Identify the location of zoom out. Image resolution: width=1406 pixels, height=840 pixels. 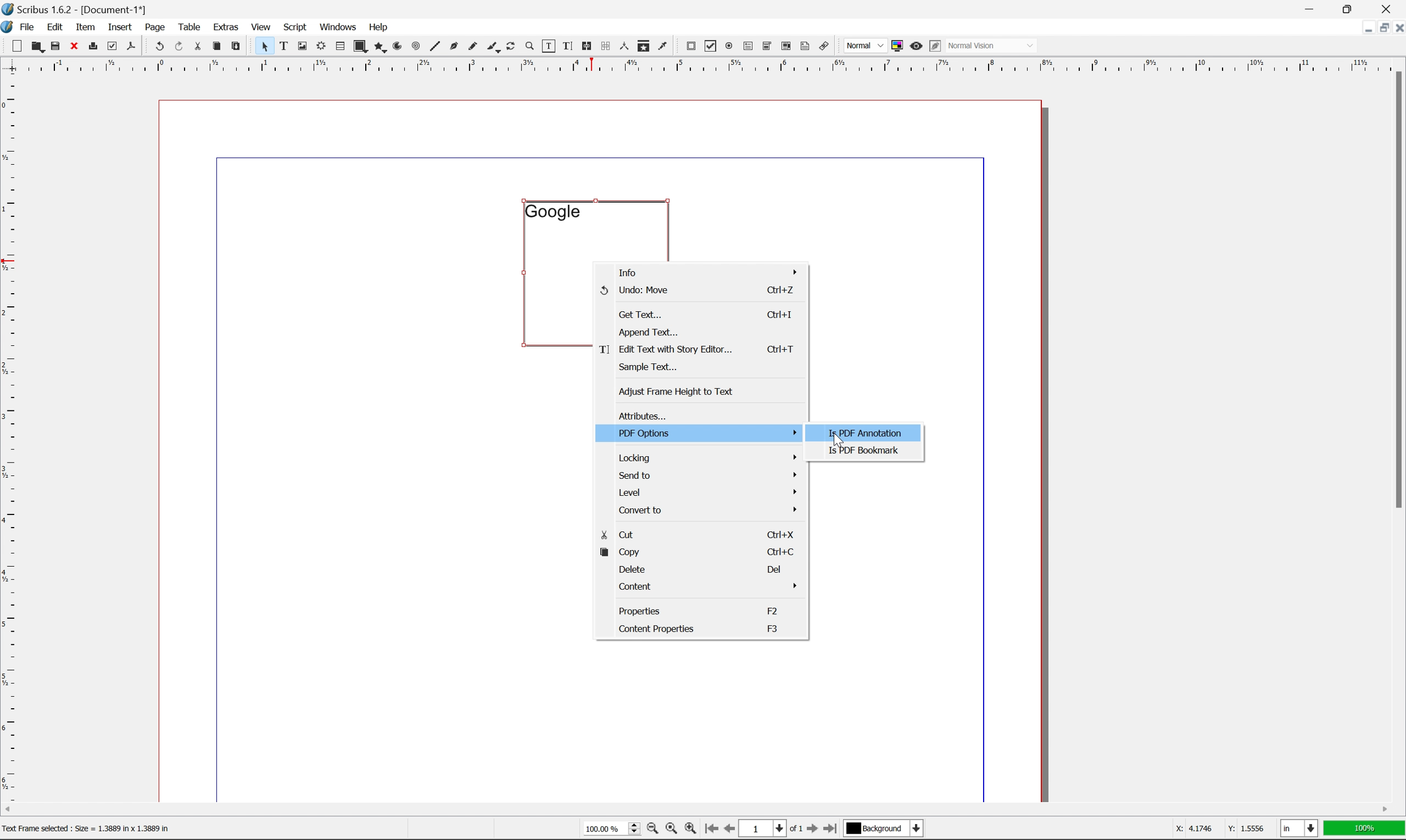
(649, 830).